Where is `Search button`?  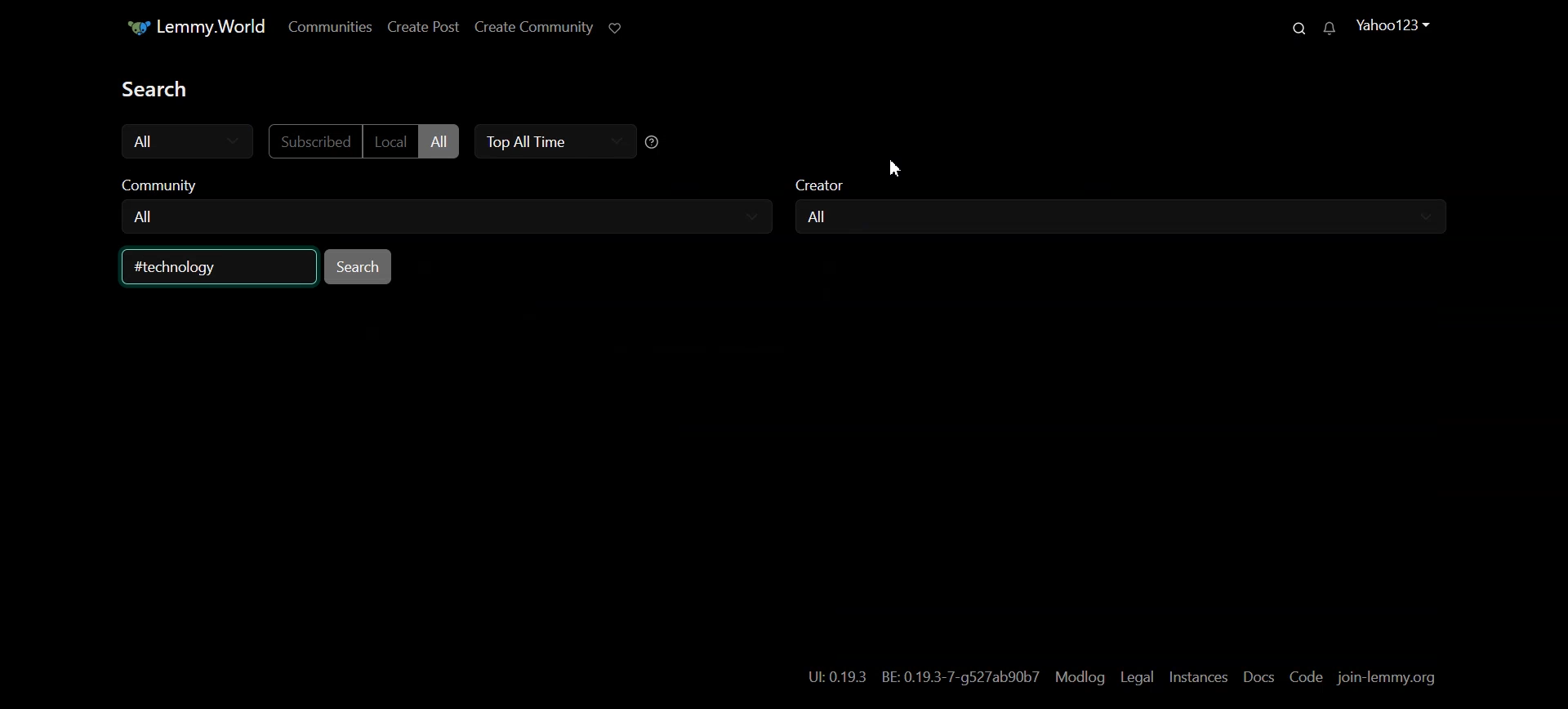 Search button is located at coordinates (358, 266).